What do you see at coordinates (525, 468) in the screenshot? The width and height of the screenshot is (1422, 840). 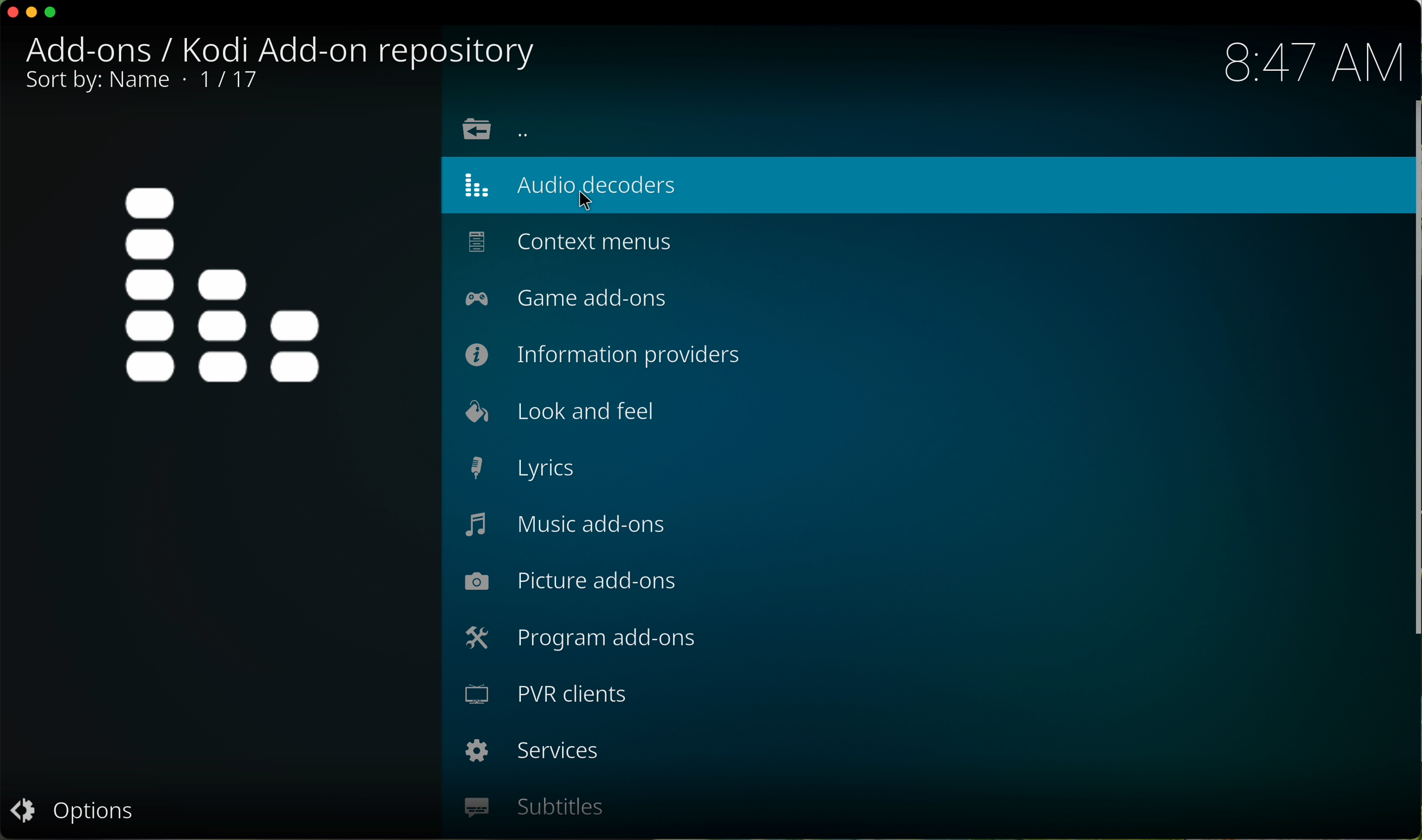 I see `lyrics` at bounding box center [525, 468].